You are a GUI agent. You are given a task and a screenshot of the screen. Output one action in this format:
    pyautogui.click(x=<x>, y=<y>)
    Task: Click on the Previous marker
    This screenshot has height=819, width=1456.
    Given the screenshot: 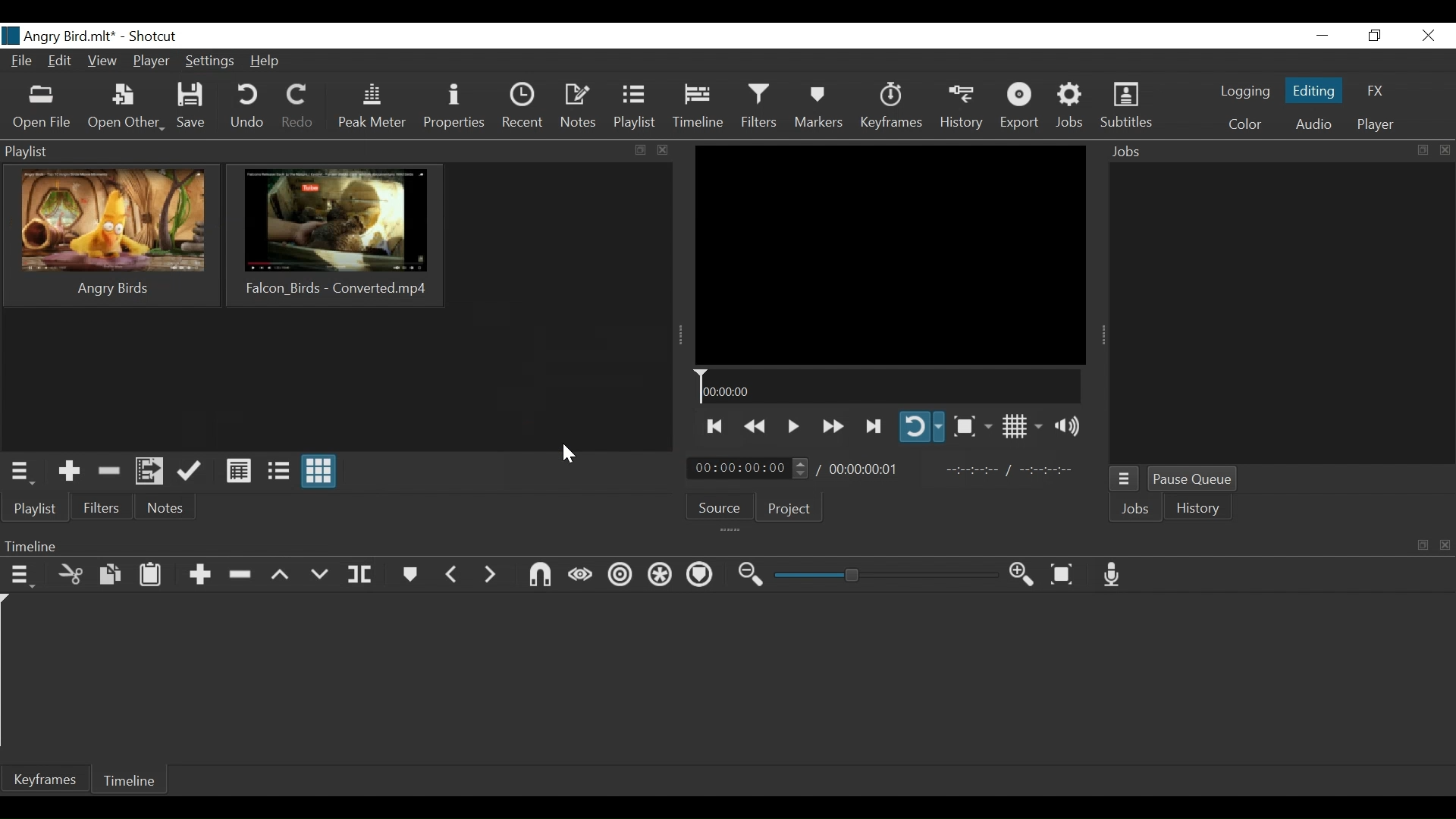 What is the action you would take?
    pyautogui.click(x=452, y=578)
    